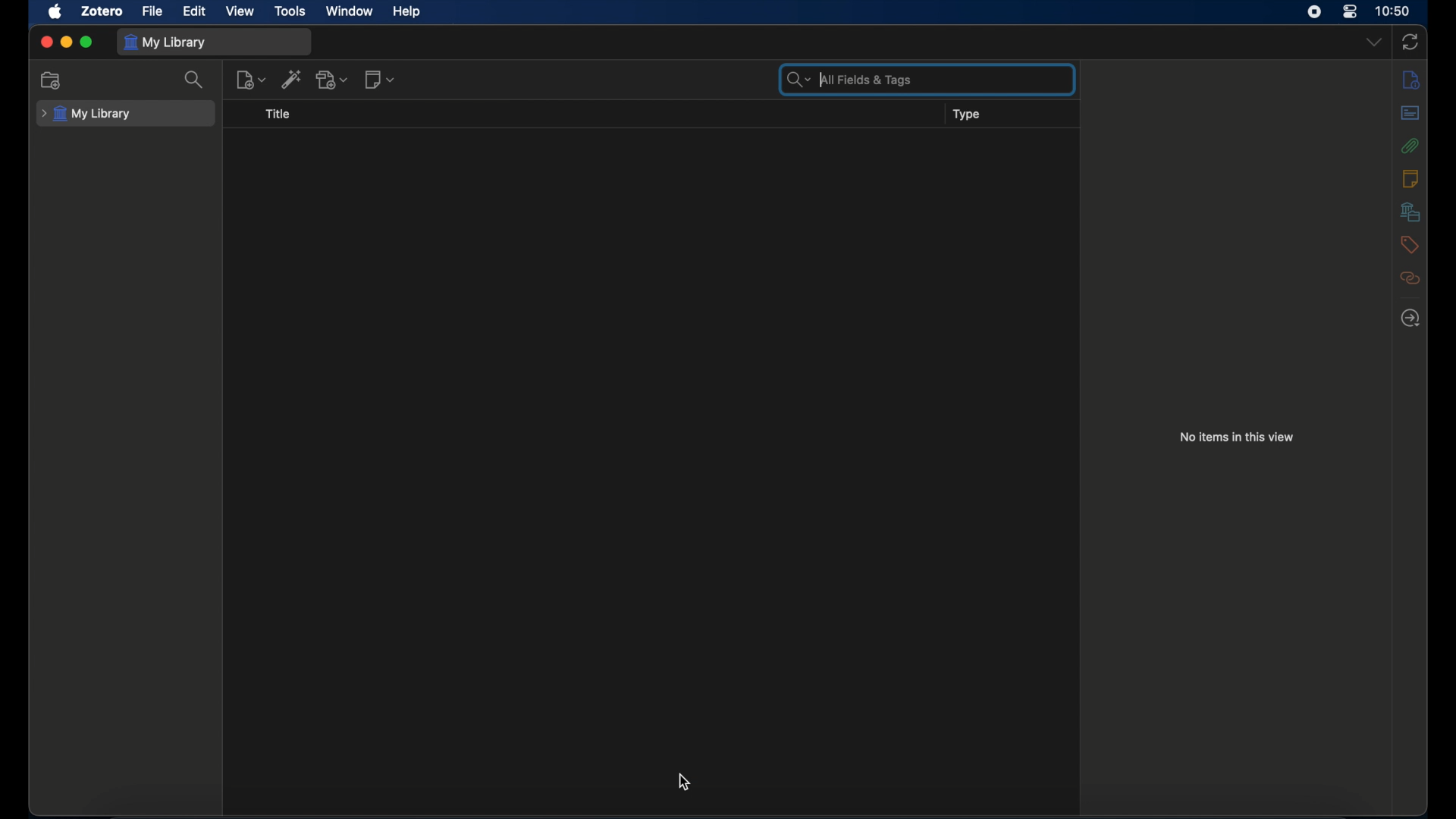  I want to click on type, so click(968, 115).